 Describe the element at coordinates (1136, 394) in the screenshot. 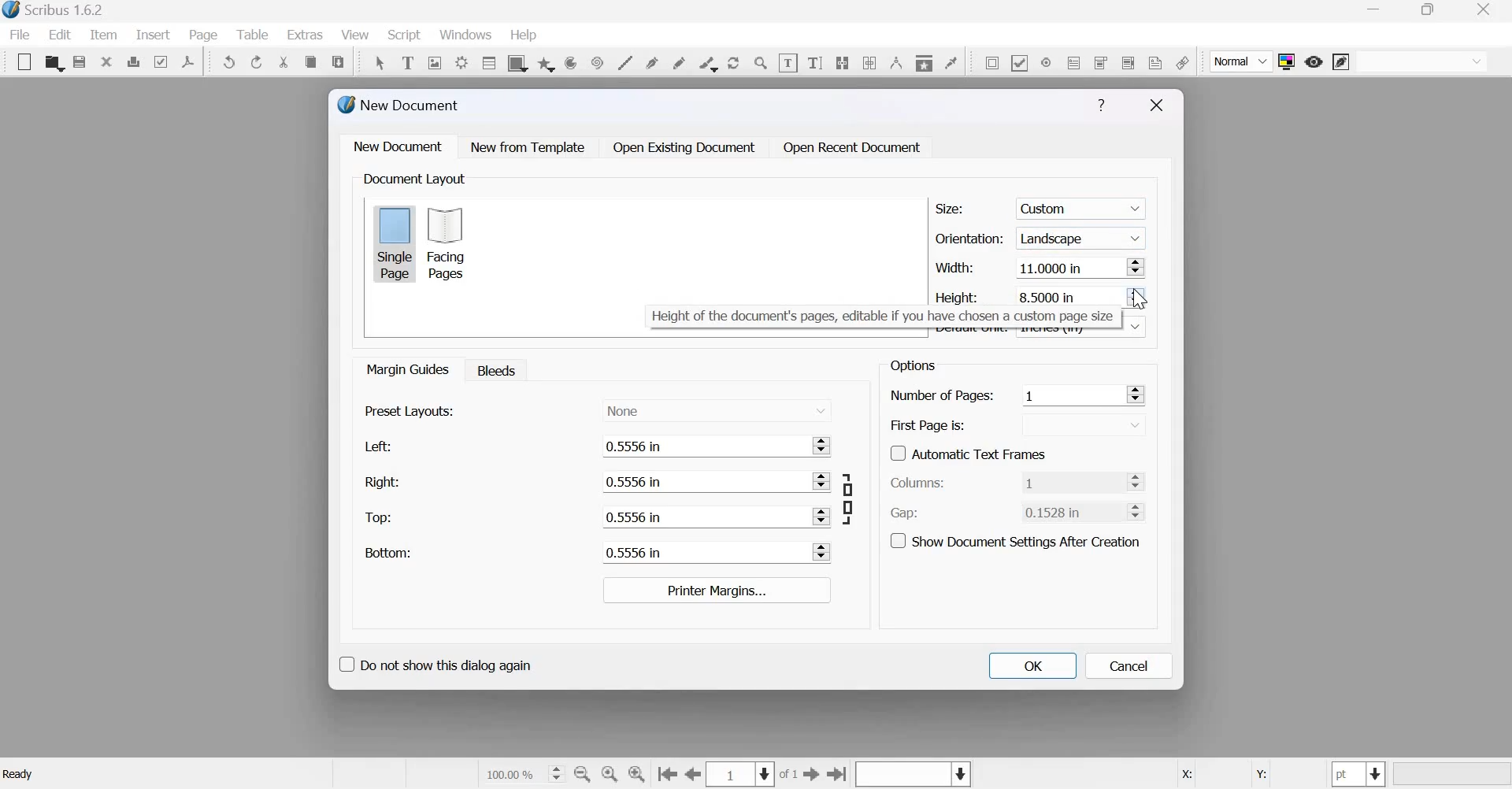

I see `Increase and Decrease` at that location.